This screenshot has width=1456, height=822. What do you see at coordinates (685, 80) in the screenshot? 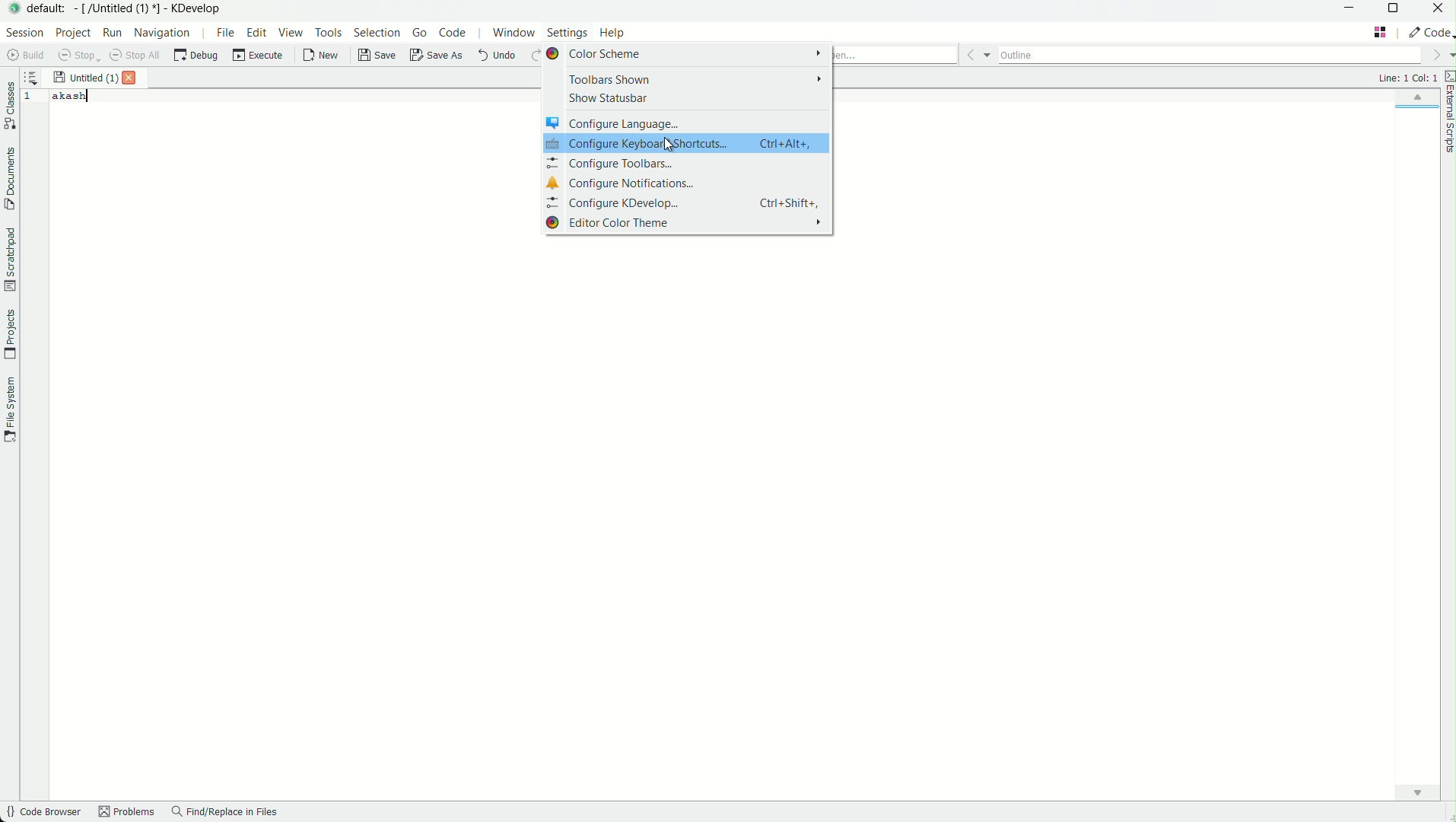
I see `toolbars shown` at bounding box center [685, 80].